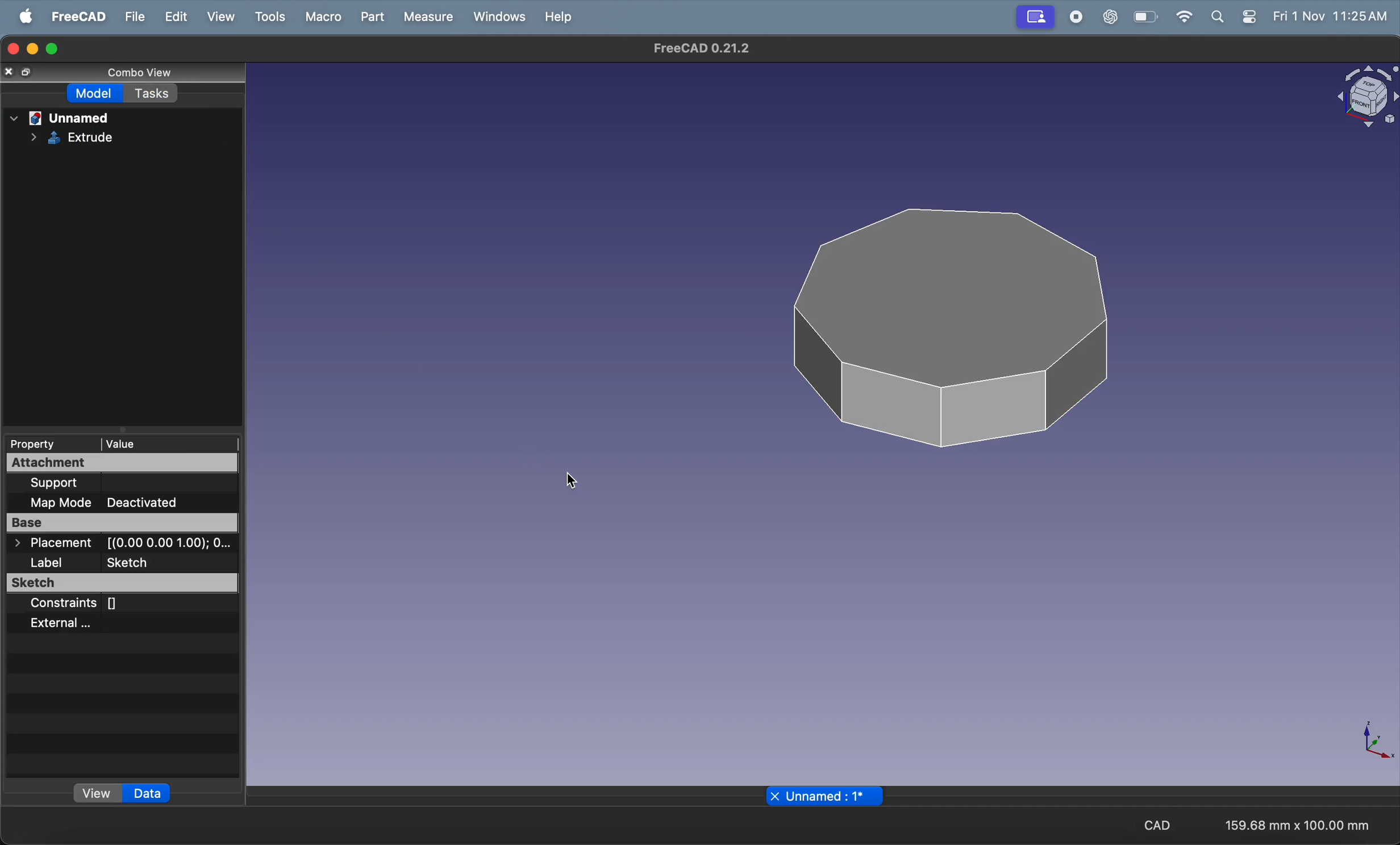 The width and height of the screenshot is (1400, 845). Describe the element at coordinates (130, 18) in the screenshot. I see `file` at that location.